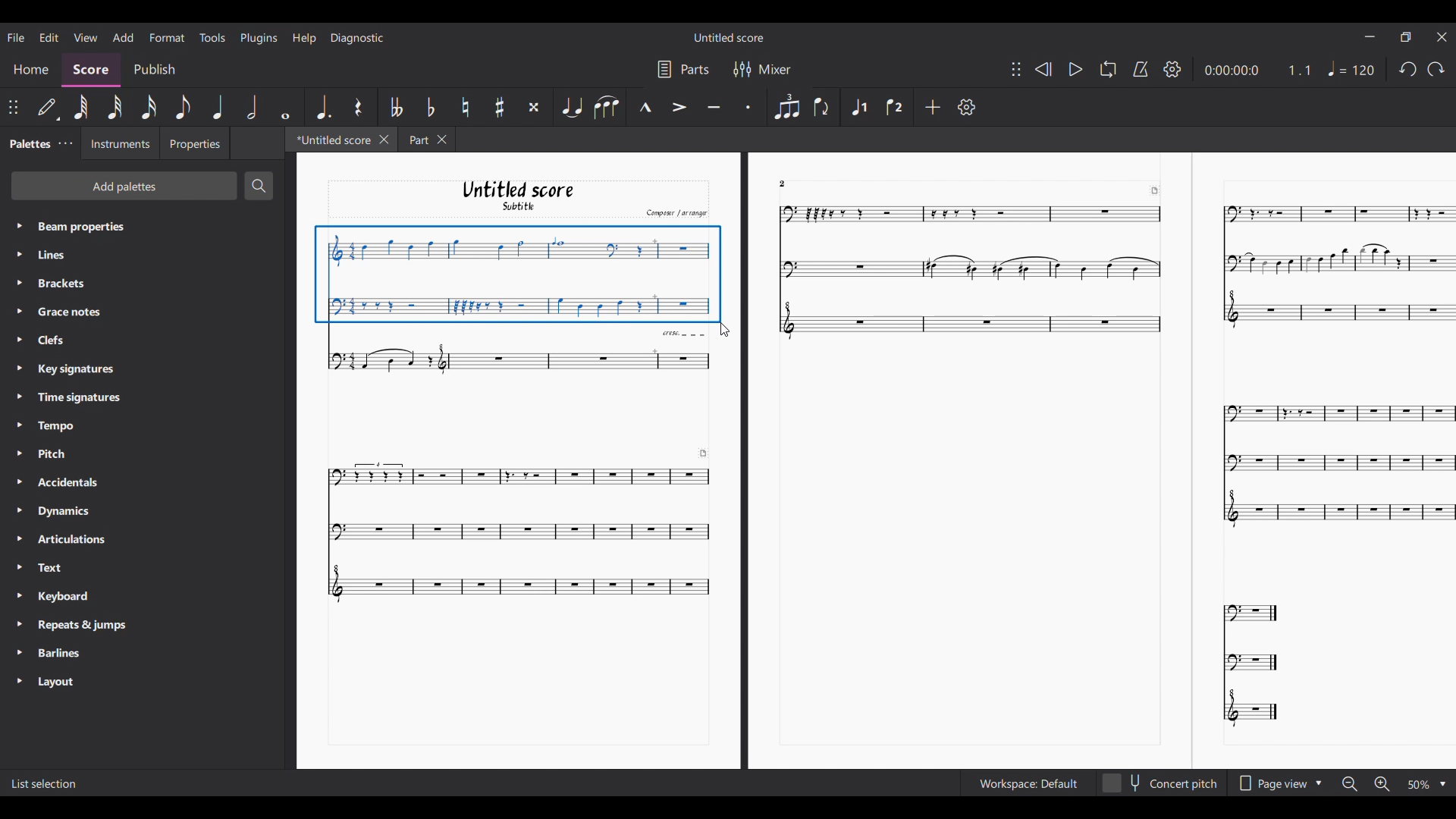  I want to click on 8th note, so click(183, 107).